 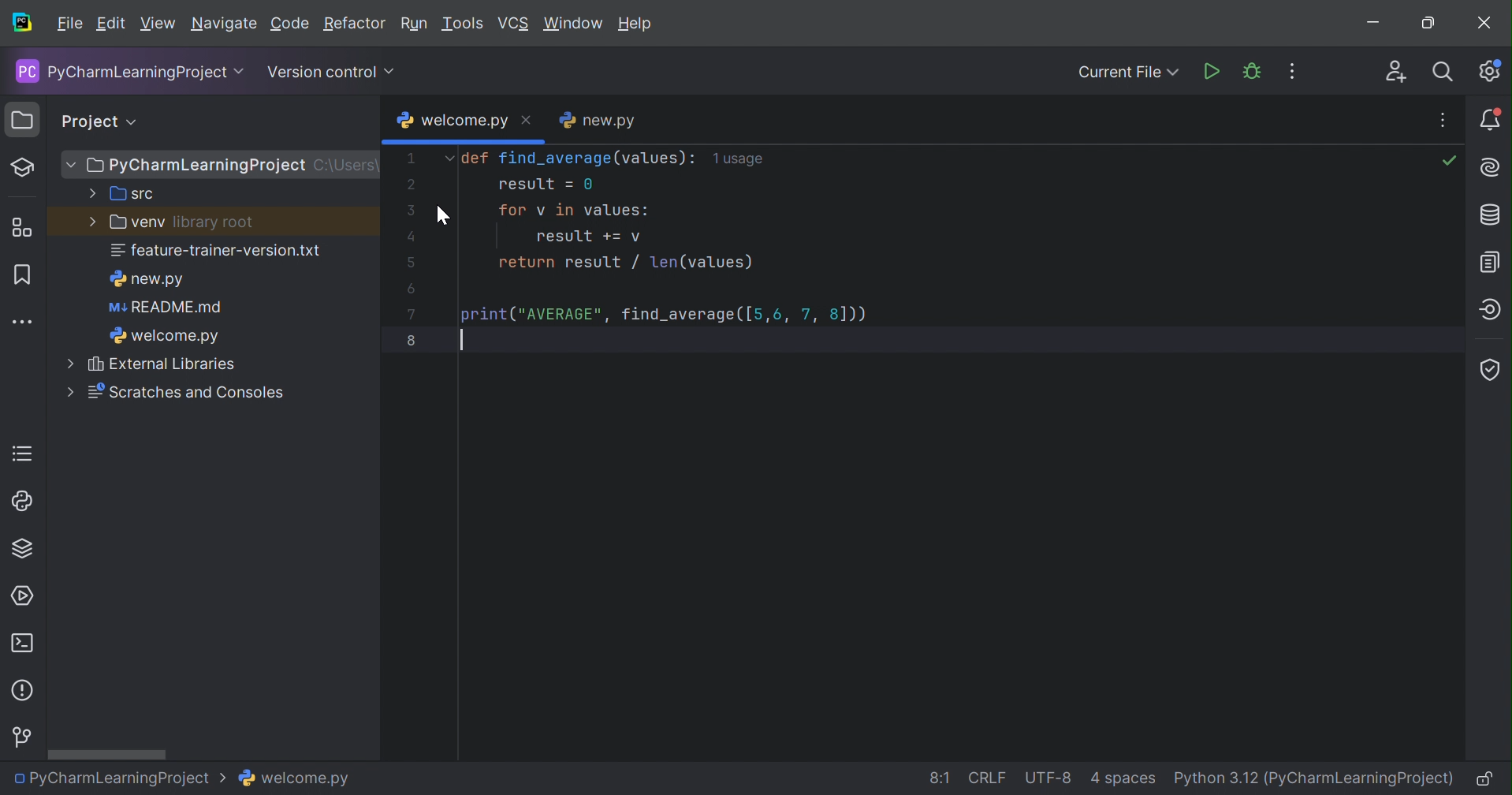 What do you see at coordinates (20, 596) in the screenshot?
I see `Services` at bounding box center [20, 596].